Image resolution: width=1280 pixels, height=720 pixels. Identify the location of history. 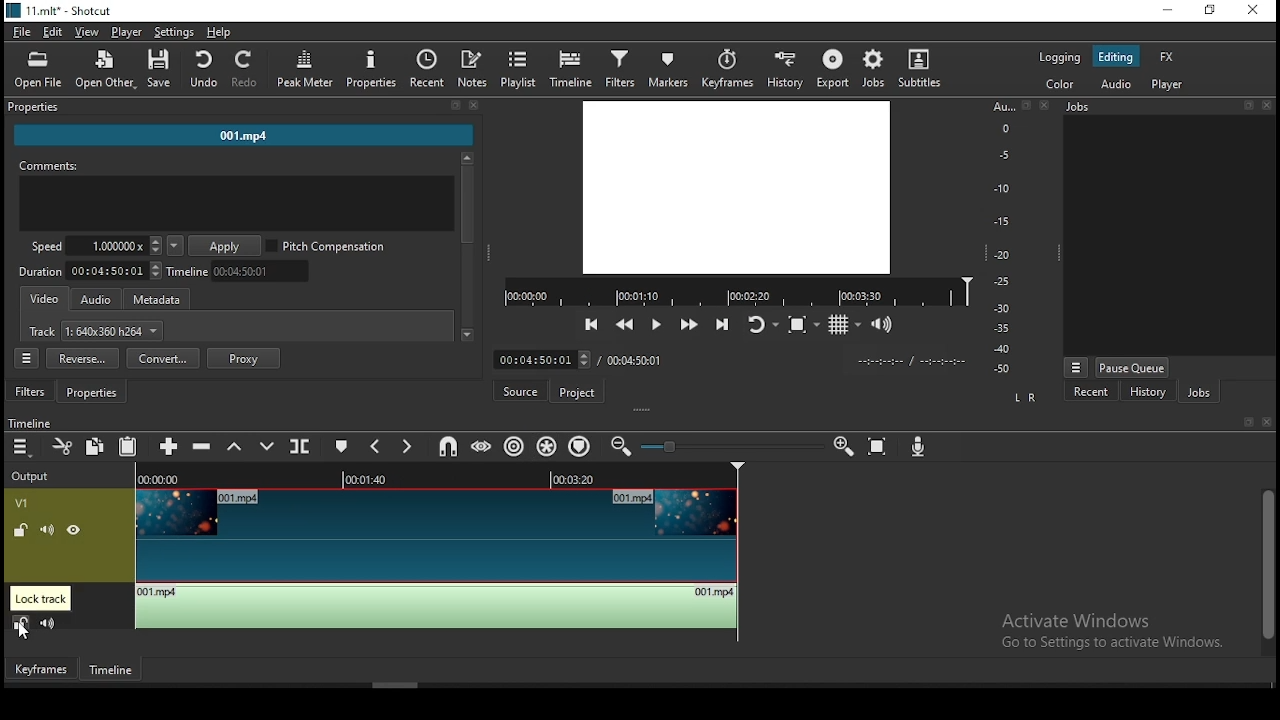
(1147, 392).